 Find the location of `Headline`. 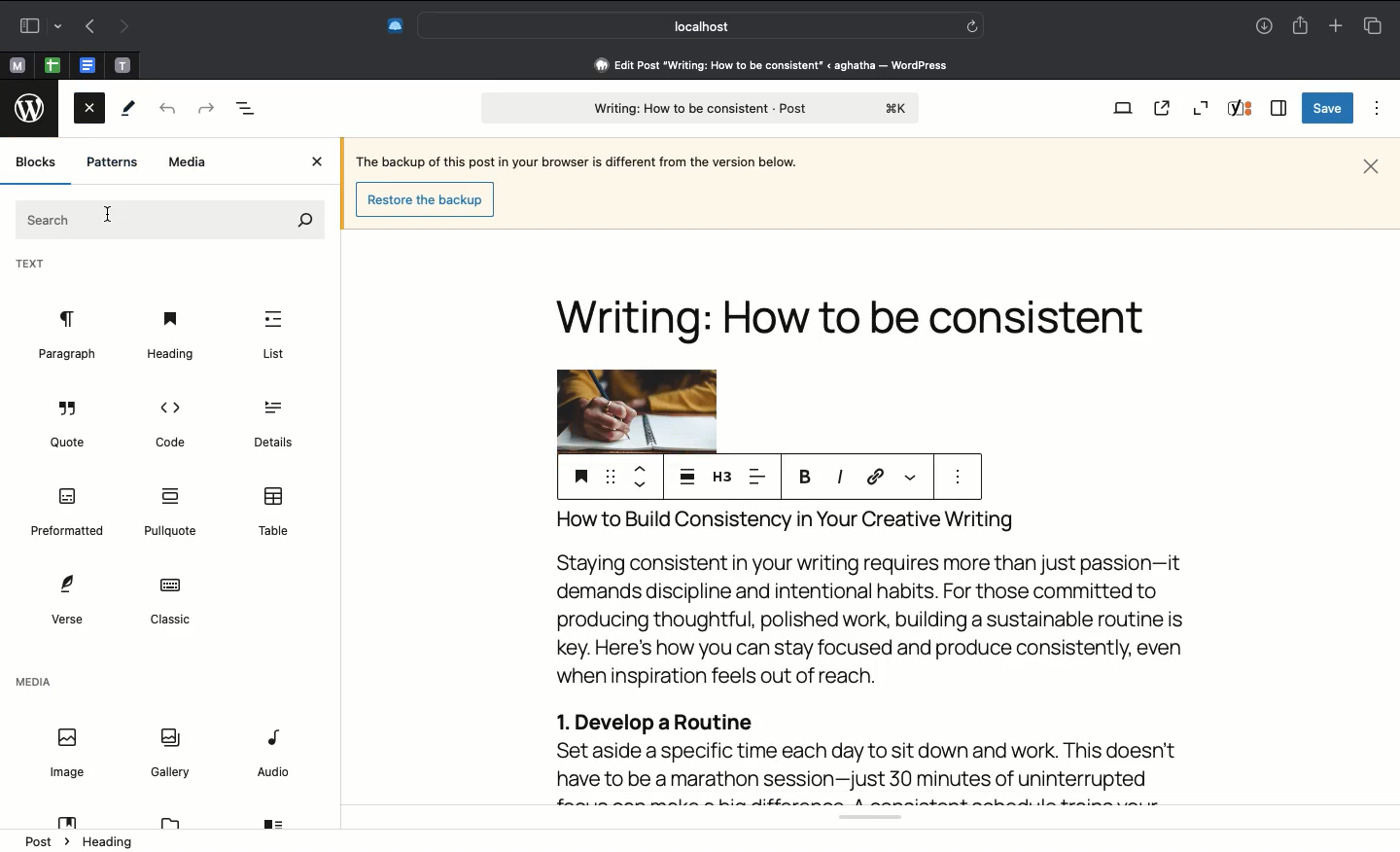

Headline is located at coordinates (858, 302).